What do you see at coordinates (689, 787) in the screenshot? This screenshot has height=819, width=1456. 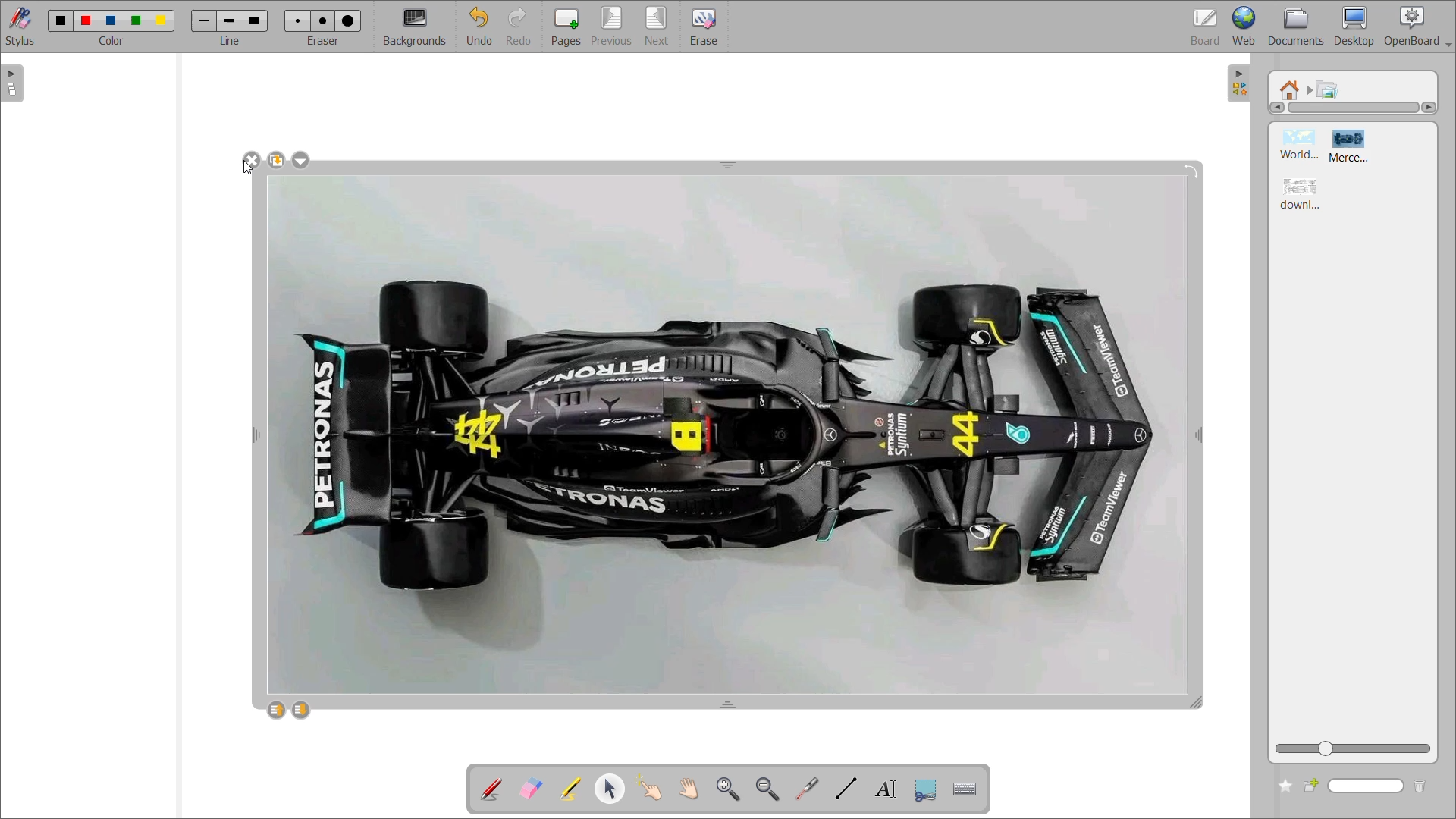 I see `scroll page` at bounding box center [689, 787].